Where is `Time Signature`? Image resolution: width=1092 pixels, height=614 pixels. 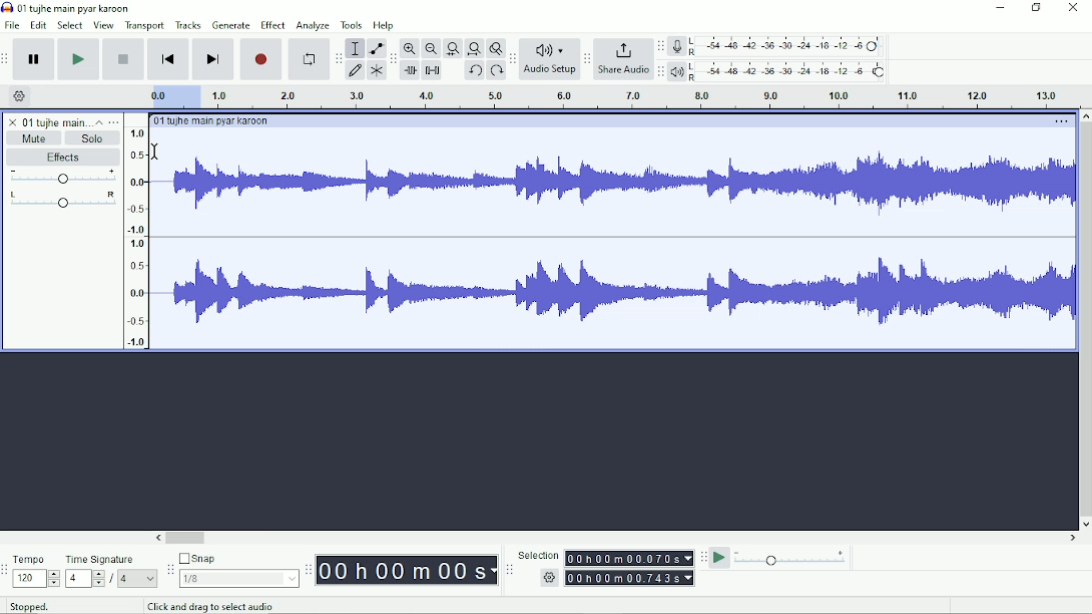
Time Signature is located at coordinates (110, 559).